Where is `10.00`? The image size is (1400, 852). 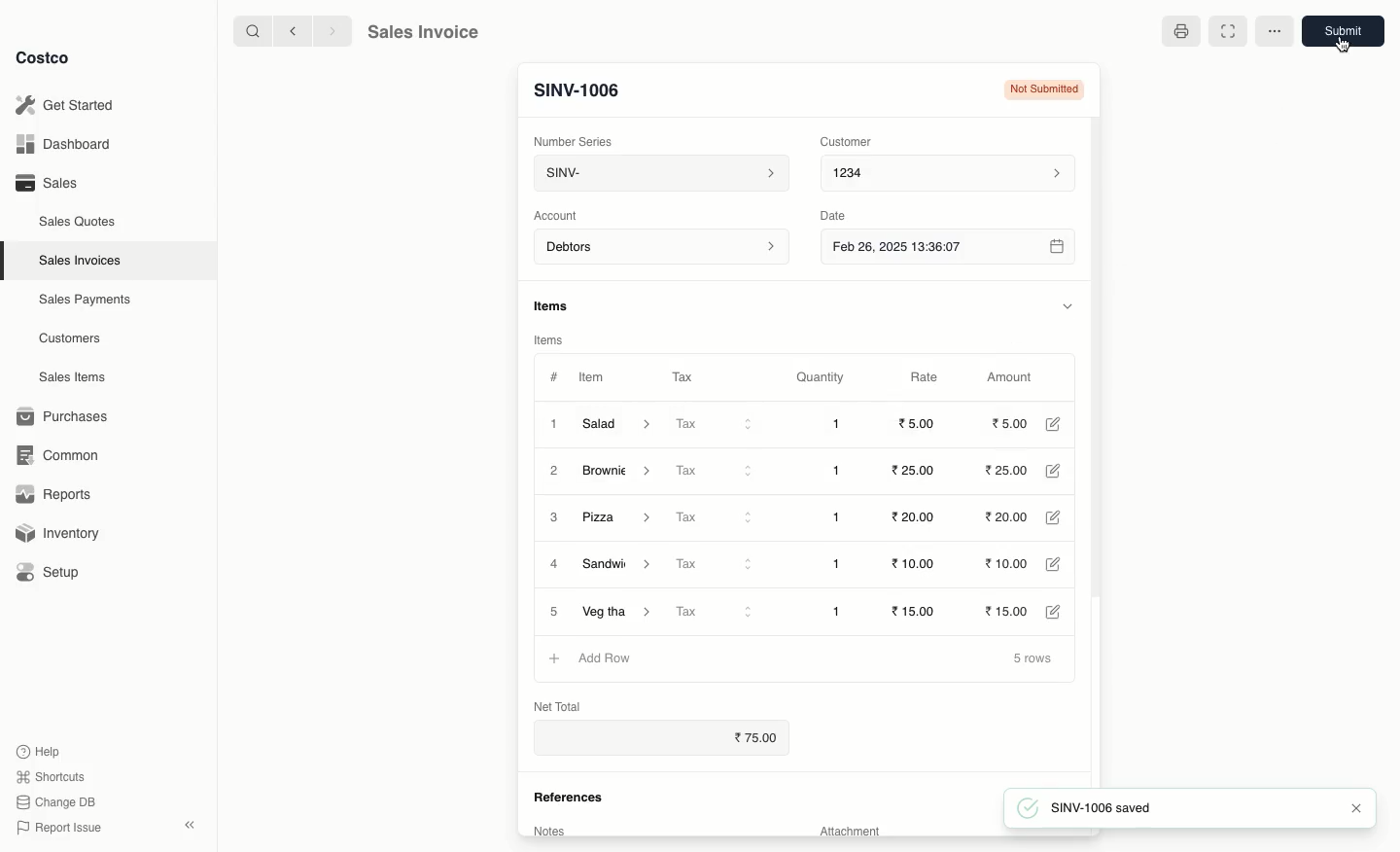 10.00 is located at coordinates (1007, 564).